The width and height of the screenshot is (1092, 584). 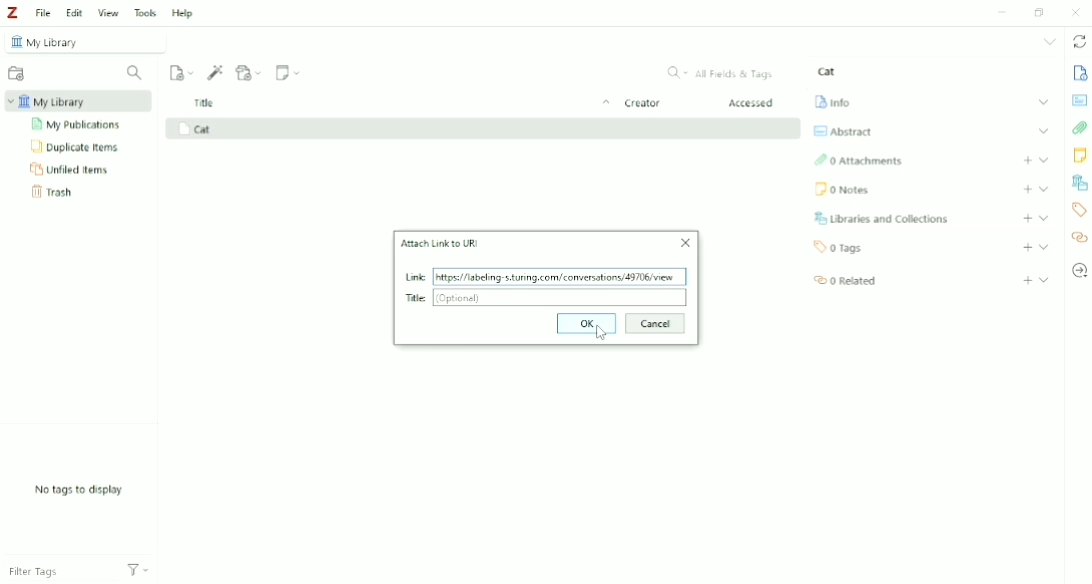 What do you see at coordinates (752, 103) in the screenshot?
I see `Accessed` at bounding box center [752, 103].